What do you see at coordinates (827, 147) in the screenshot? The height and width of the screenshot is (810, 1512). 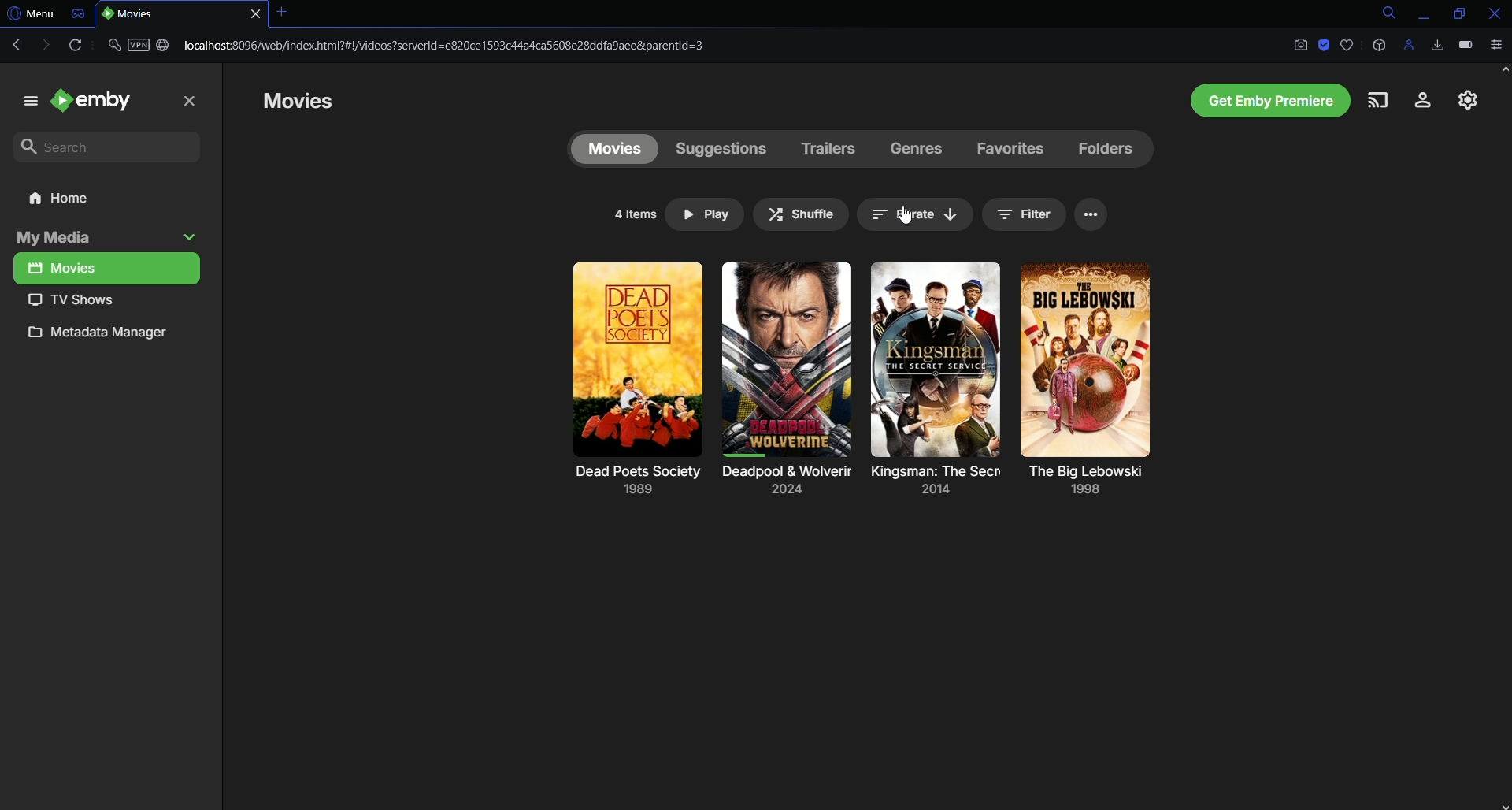 I see `Trailers` at bounding box center [827, 147].